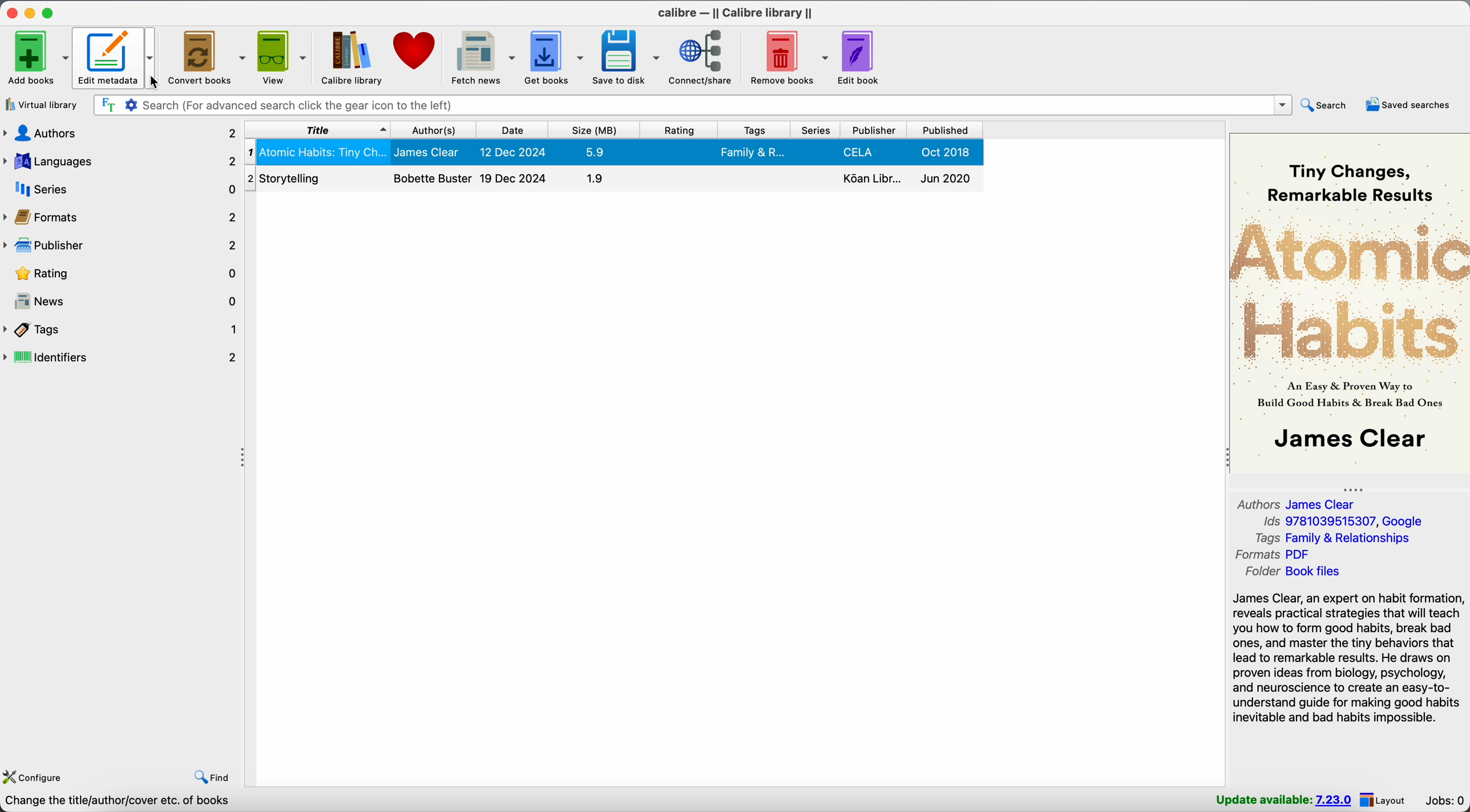 The image size is (1470, 812). What do you see at coordinates (434, 130) in the screenshot?
I see `author(s)` at bounding box center [434, 130].